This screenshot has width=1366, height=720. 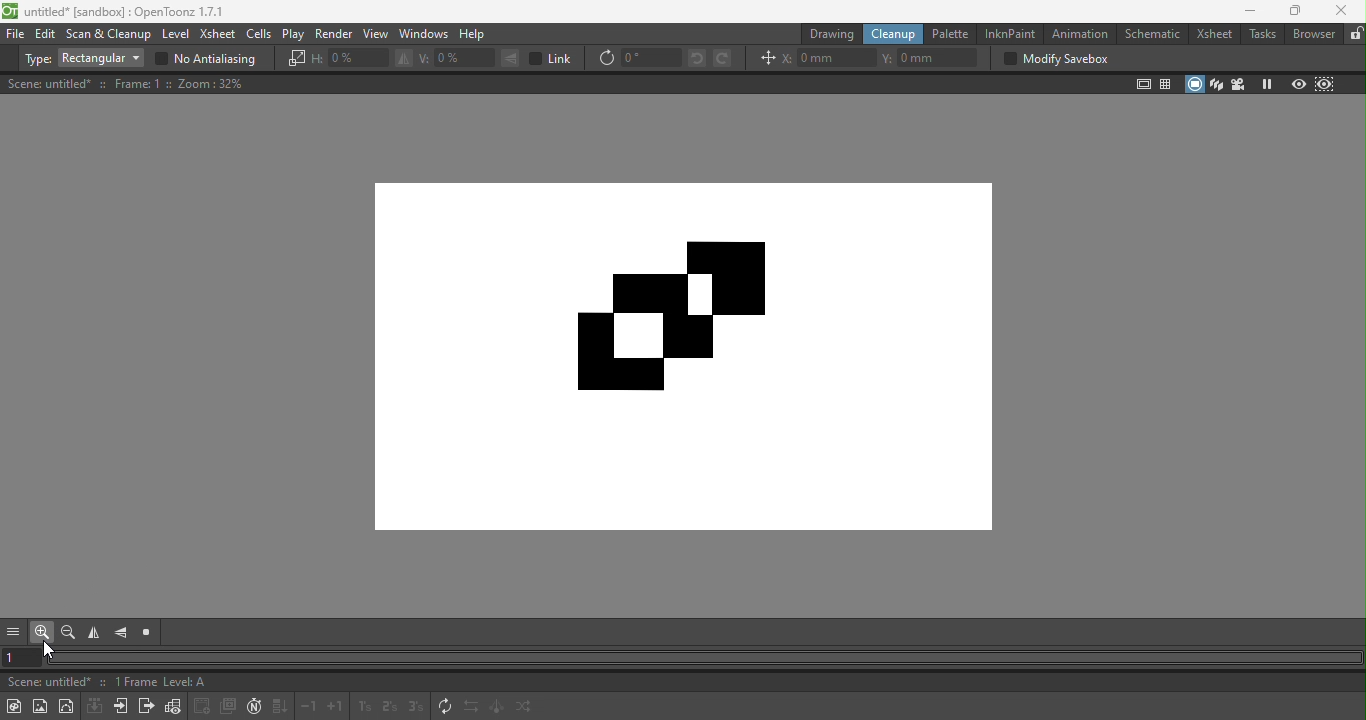 I want to click on Decrease step, so click(x=310, y=708).